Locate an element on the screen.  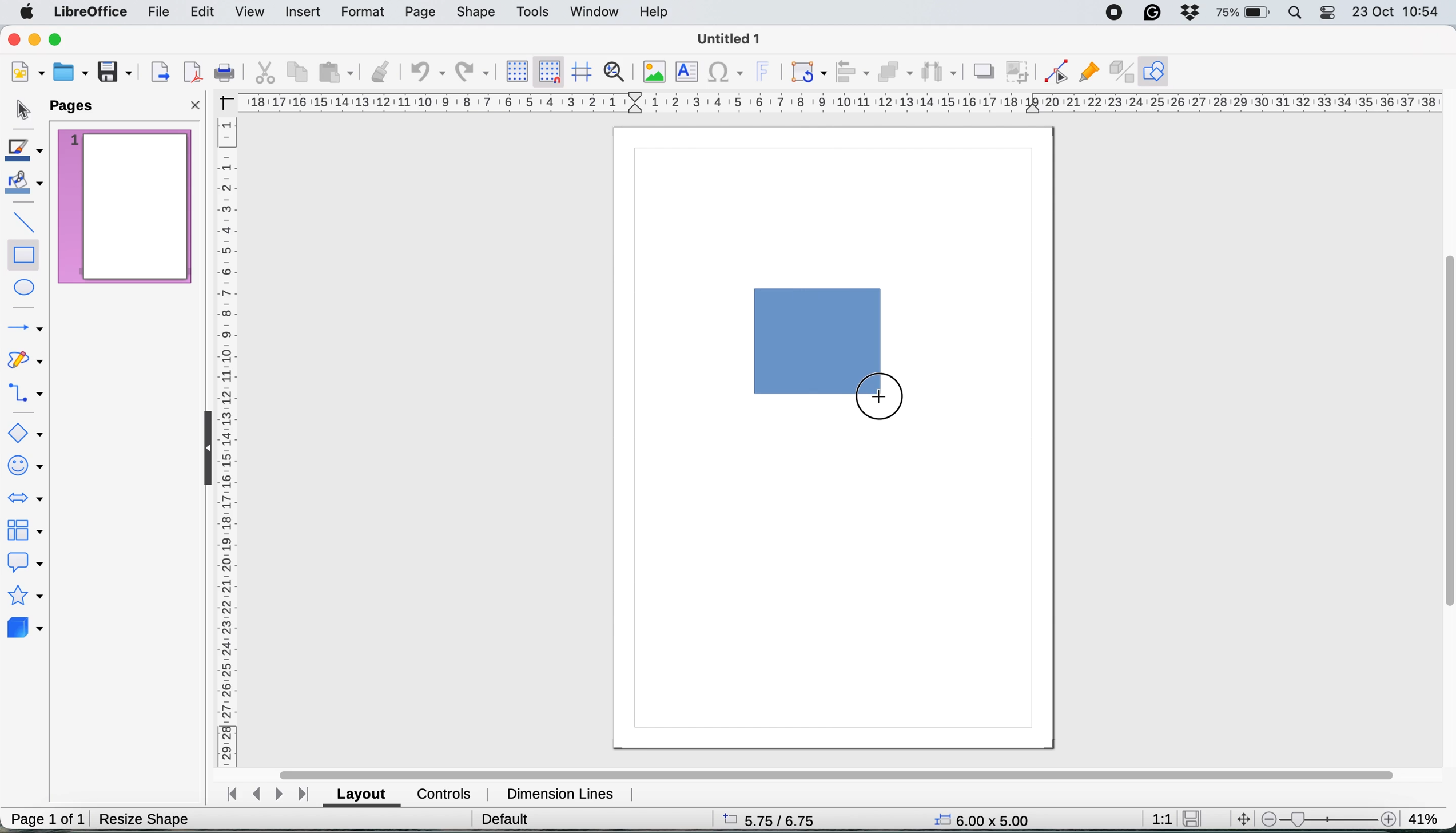
dimension lines is located at coordinates (562, 792).